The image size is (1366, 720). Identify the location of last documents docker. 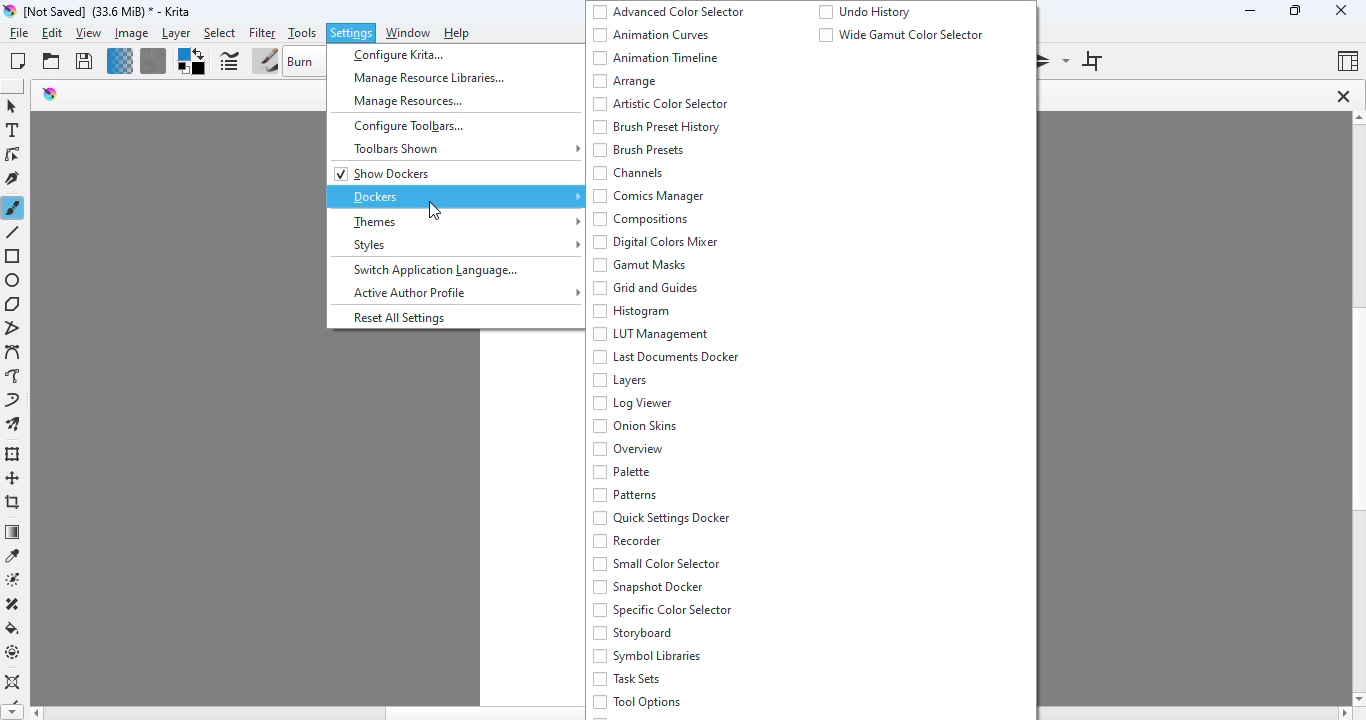
(666, 357).